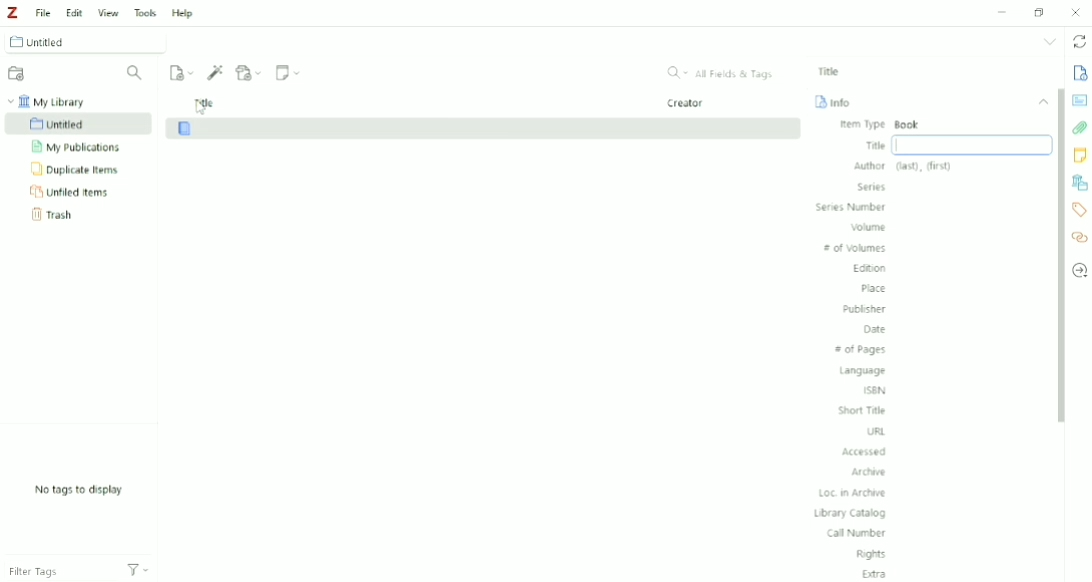 This screenshot has width=1092, height=582. What do you see at coordinates (857, 534) in the screenshot?
I see `Call Number` at bounding box center [857, 534].